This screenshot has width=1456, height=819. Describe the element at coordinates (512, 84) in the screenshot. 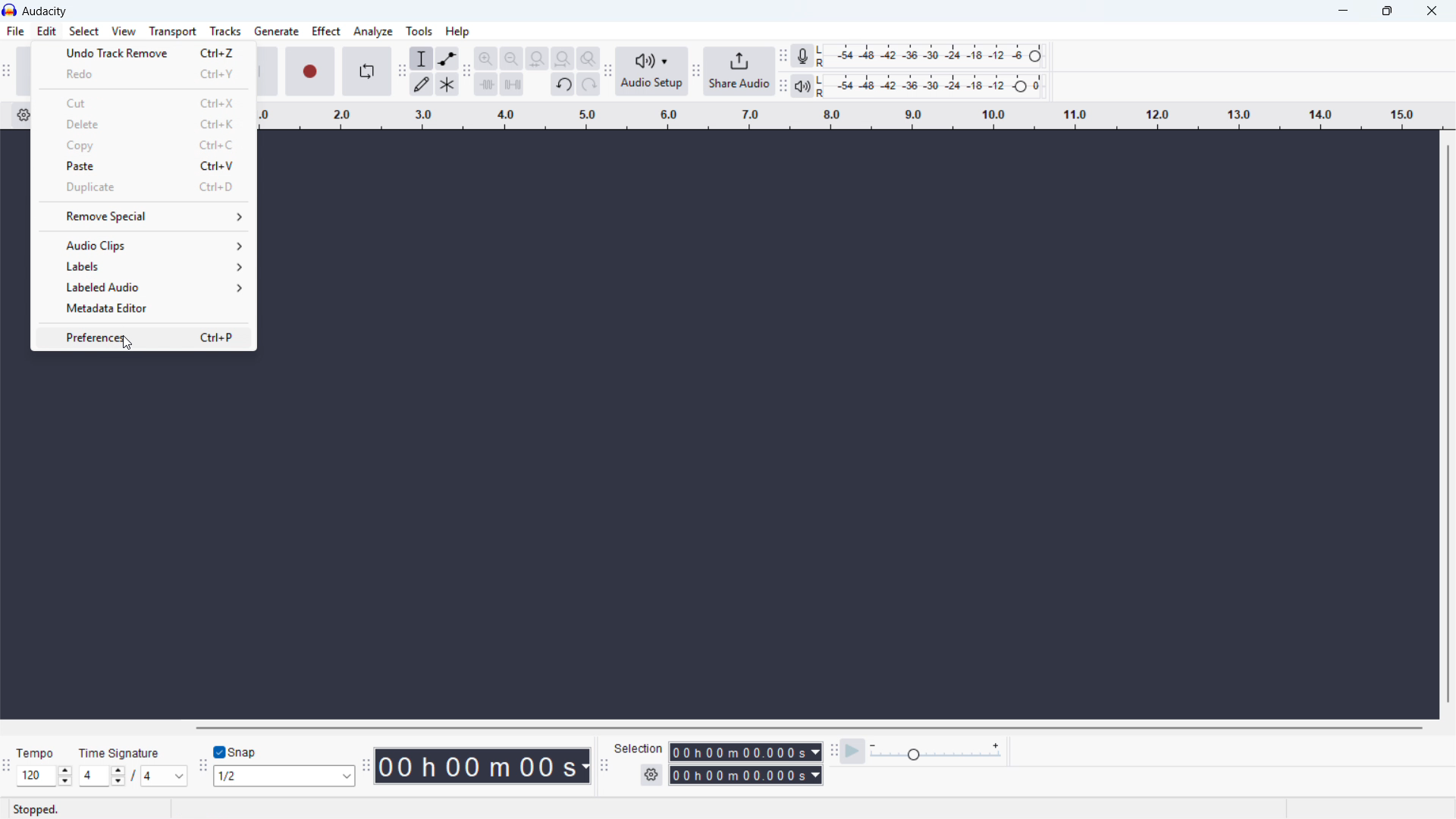

I see `silence audio selection` at that location.